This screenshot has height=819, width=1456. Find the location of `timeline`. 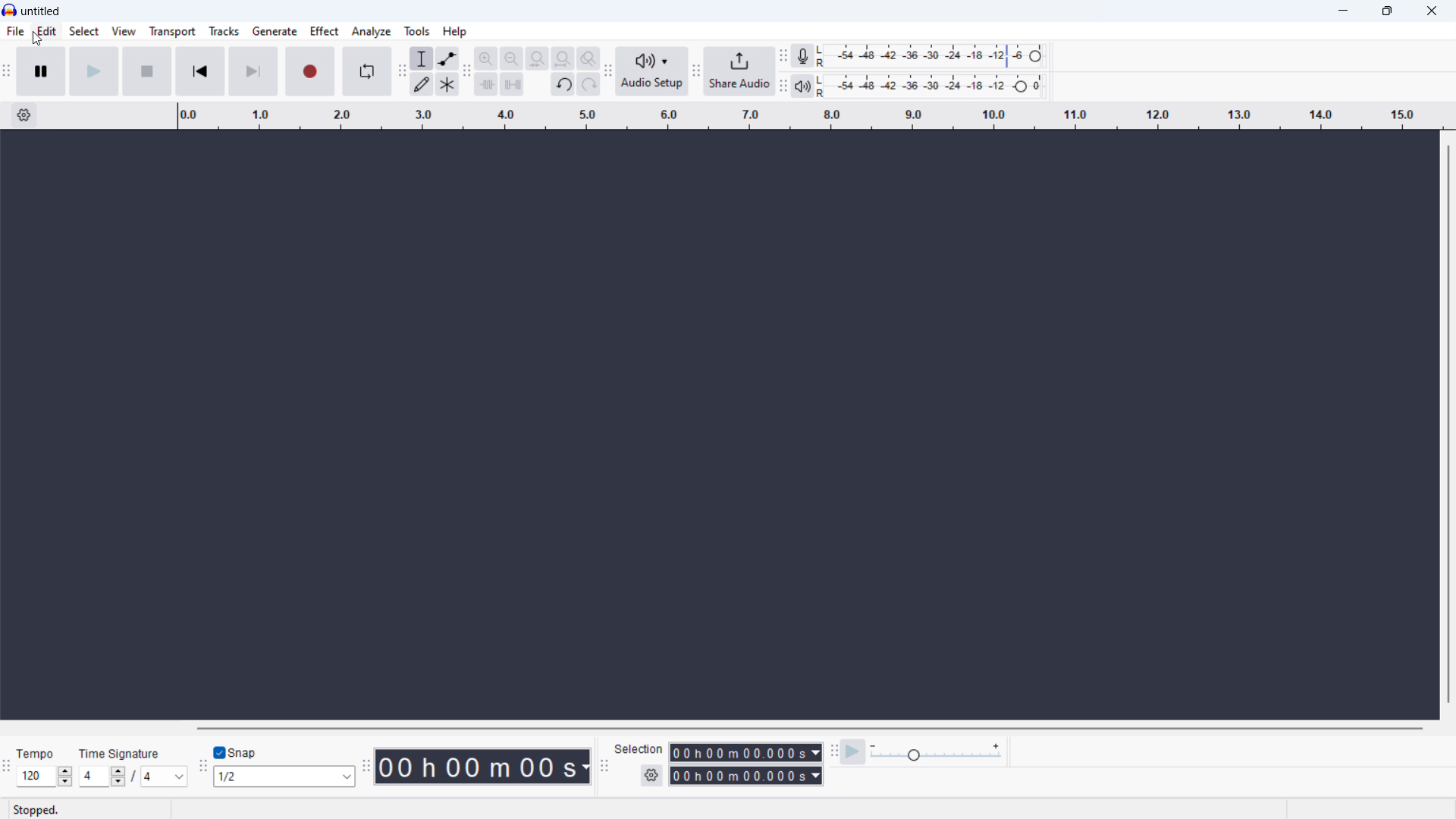

timeline is located at coordinates (807, 116).